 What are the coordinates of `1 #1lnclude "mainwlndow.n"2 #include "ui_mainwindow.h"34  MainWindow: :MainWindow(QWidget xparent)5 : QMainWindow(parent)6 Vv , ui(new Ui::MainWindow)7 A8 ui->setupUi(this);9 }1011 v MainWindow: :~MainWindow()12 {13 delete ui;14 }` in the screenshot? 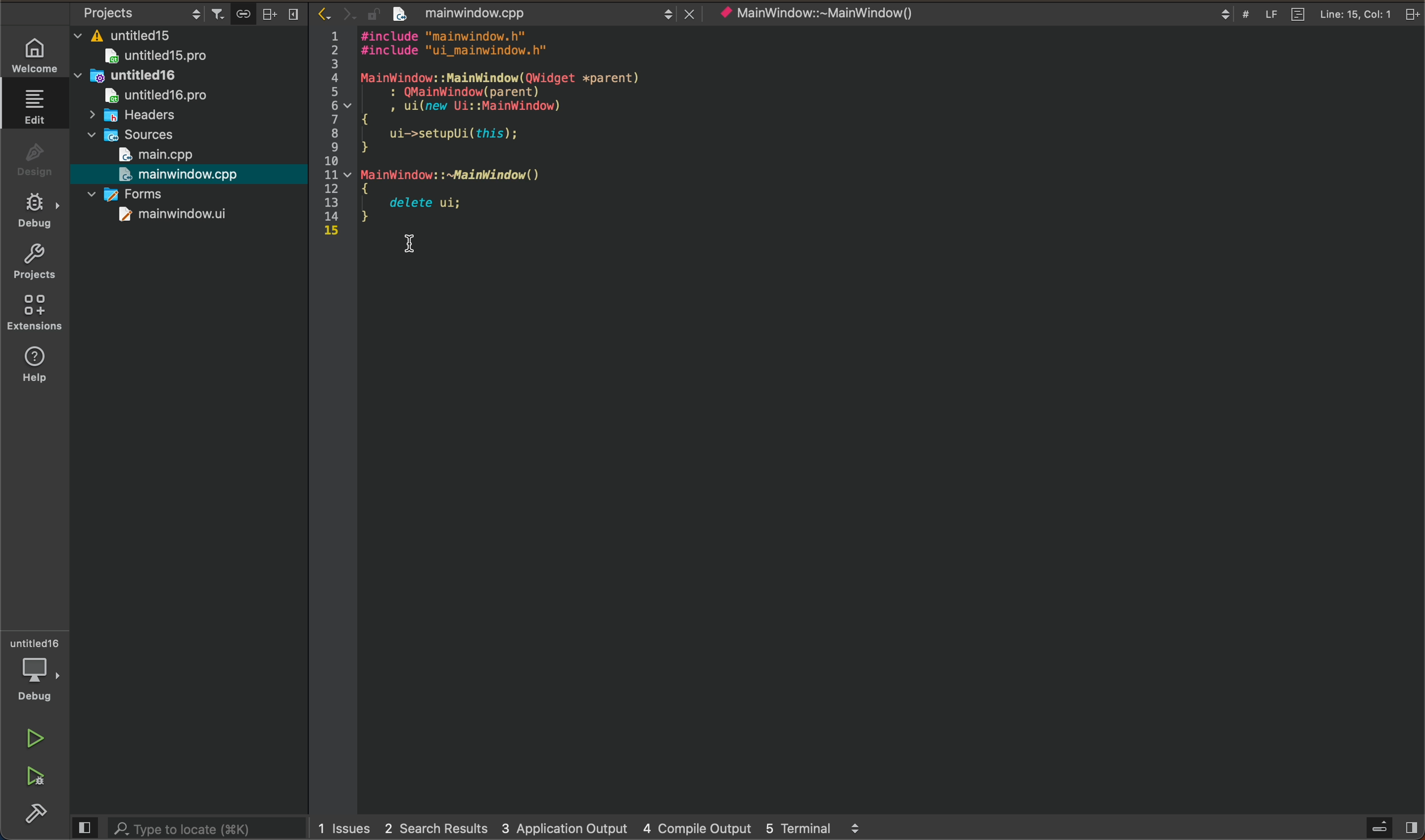 It's located at (506, 127).